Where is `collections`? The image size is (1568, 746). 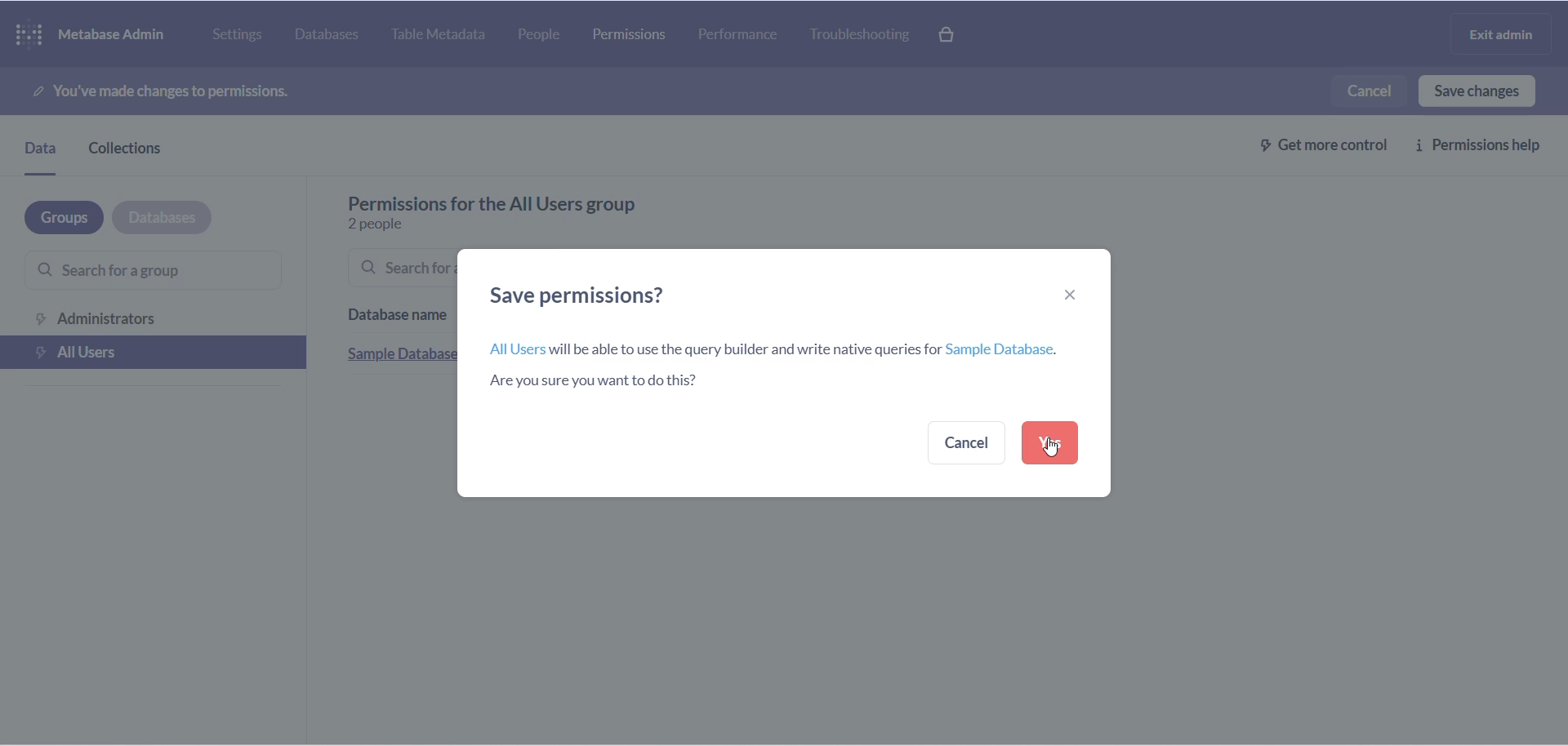 collections is located at coordinates (139, 149).